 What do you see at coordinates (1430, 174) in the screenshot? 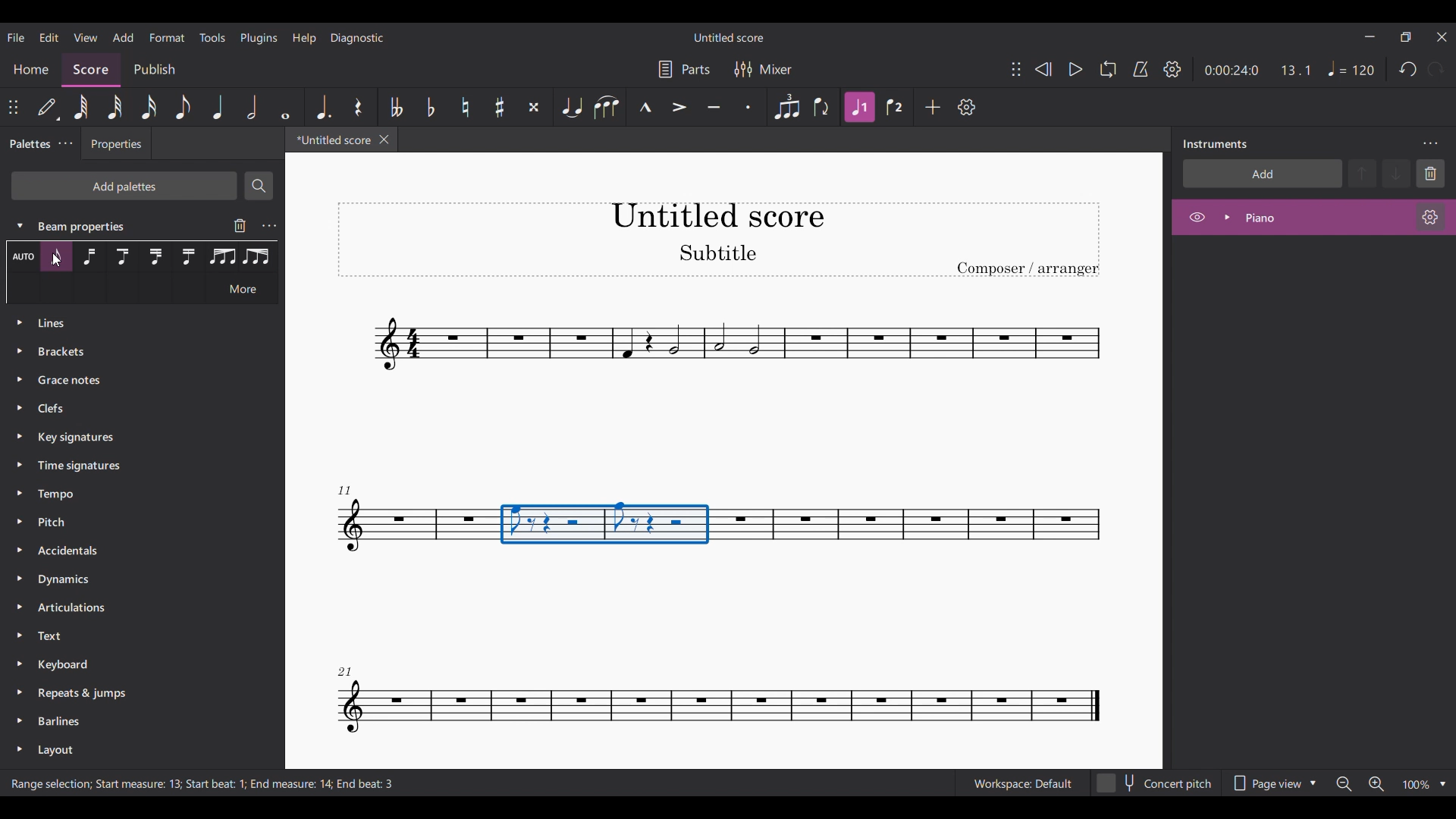
I see `Delete` at bounding box center [1430, 174].